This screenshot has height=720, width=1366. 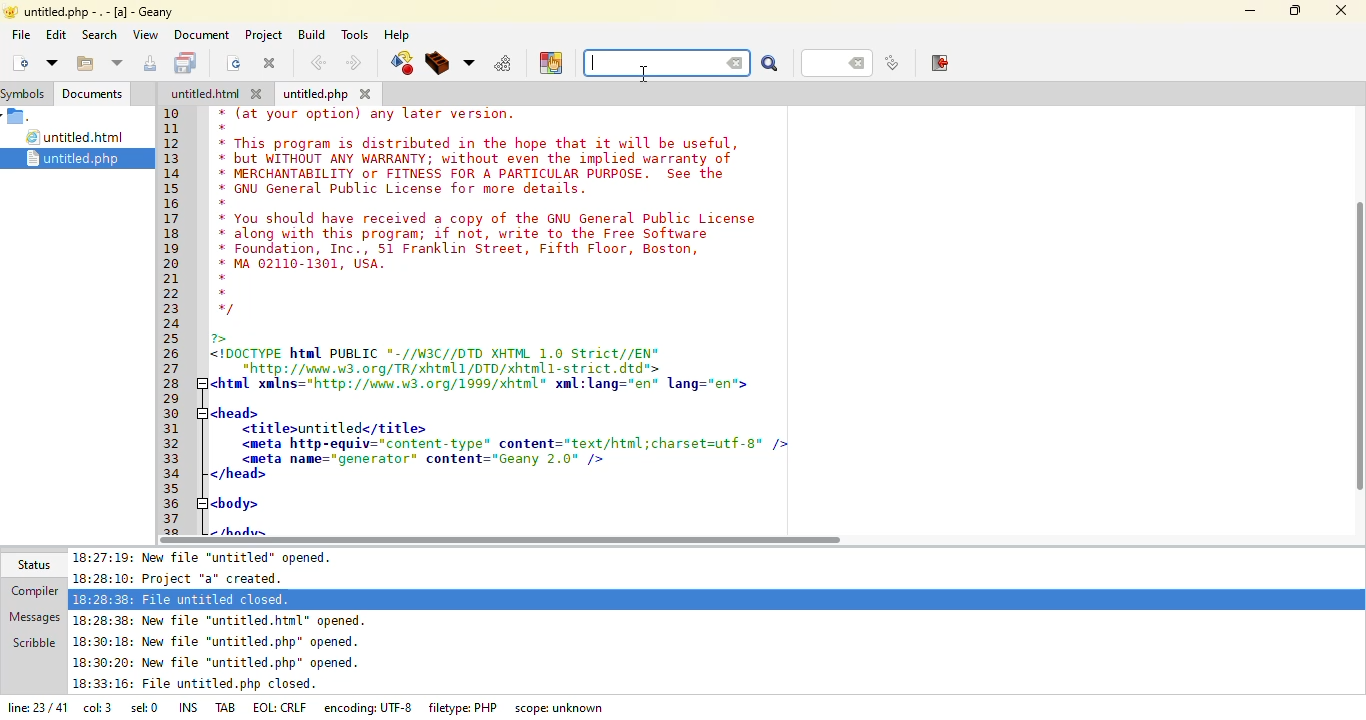 What do you see at coordinates (224, 203) in the screenshot?
I see `*` at bounding box center [224, 203].